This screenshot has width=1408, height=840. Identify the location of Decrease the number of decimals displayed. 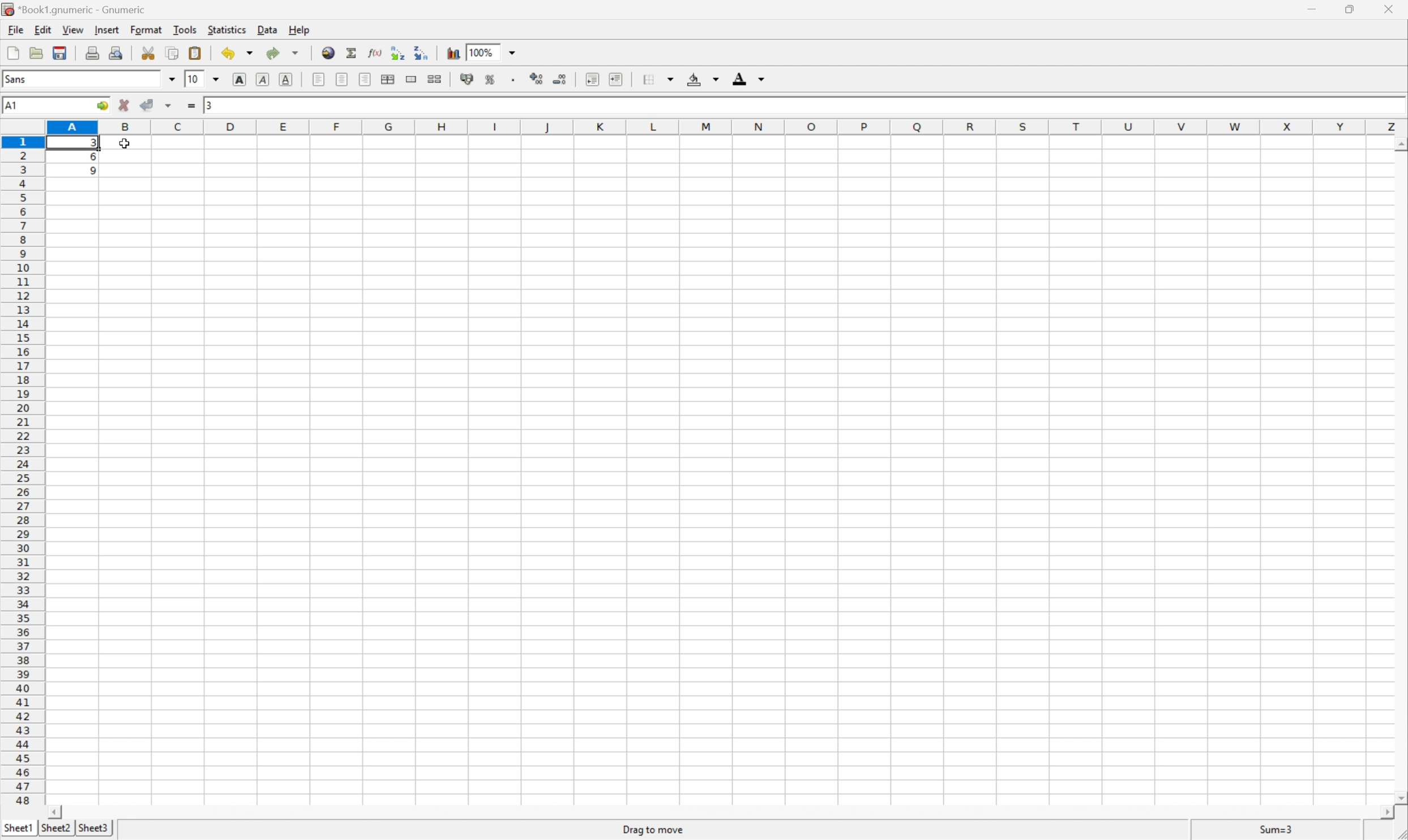
(560, 79).